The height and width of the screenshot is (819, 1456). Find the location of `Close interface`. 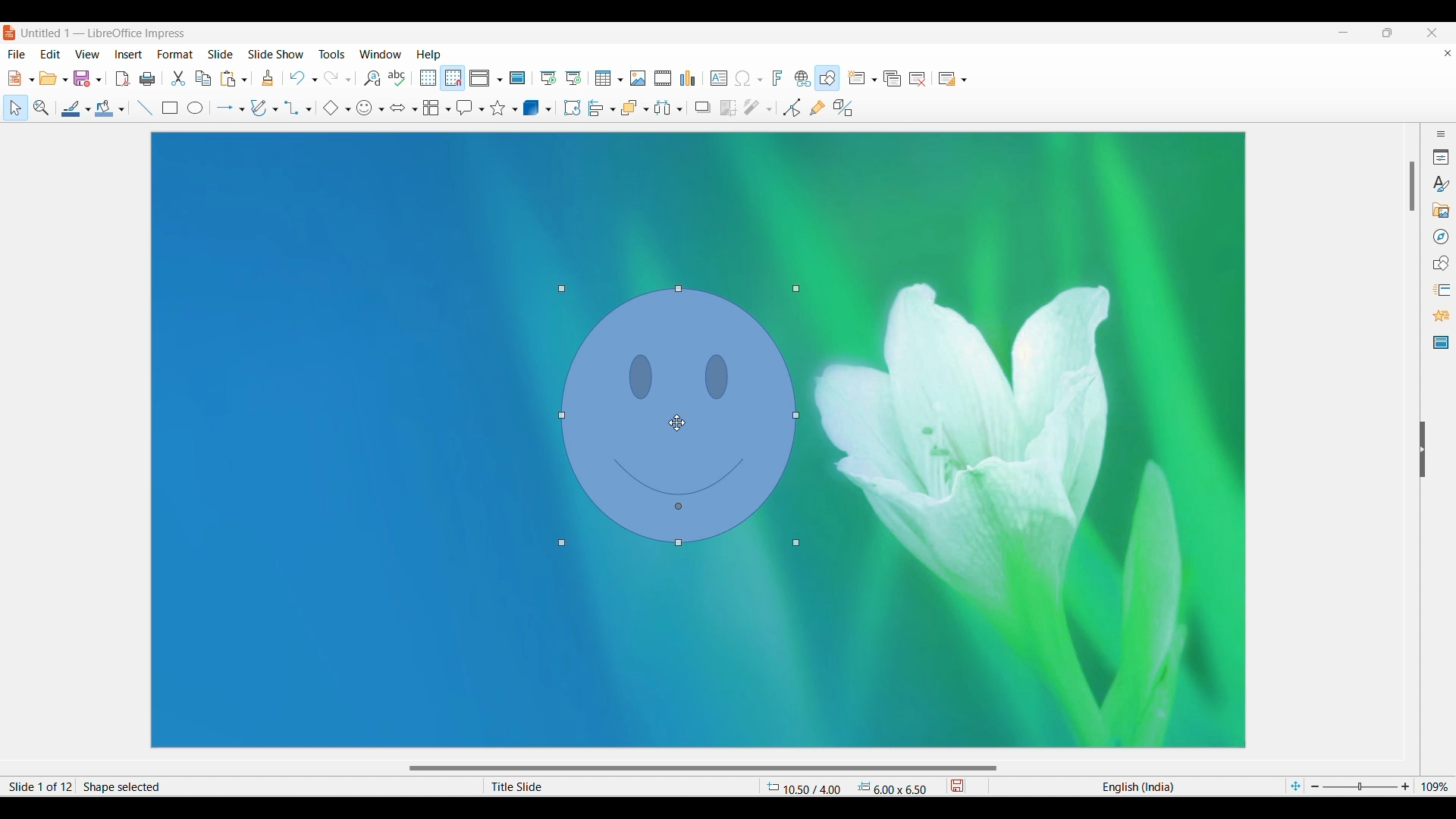

Close interface is located at coordinates (1431, 33).